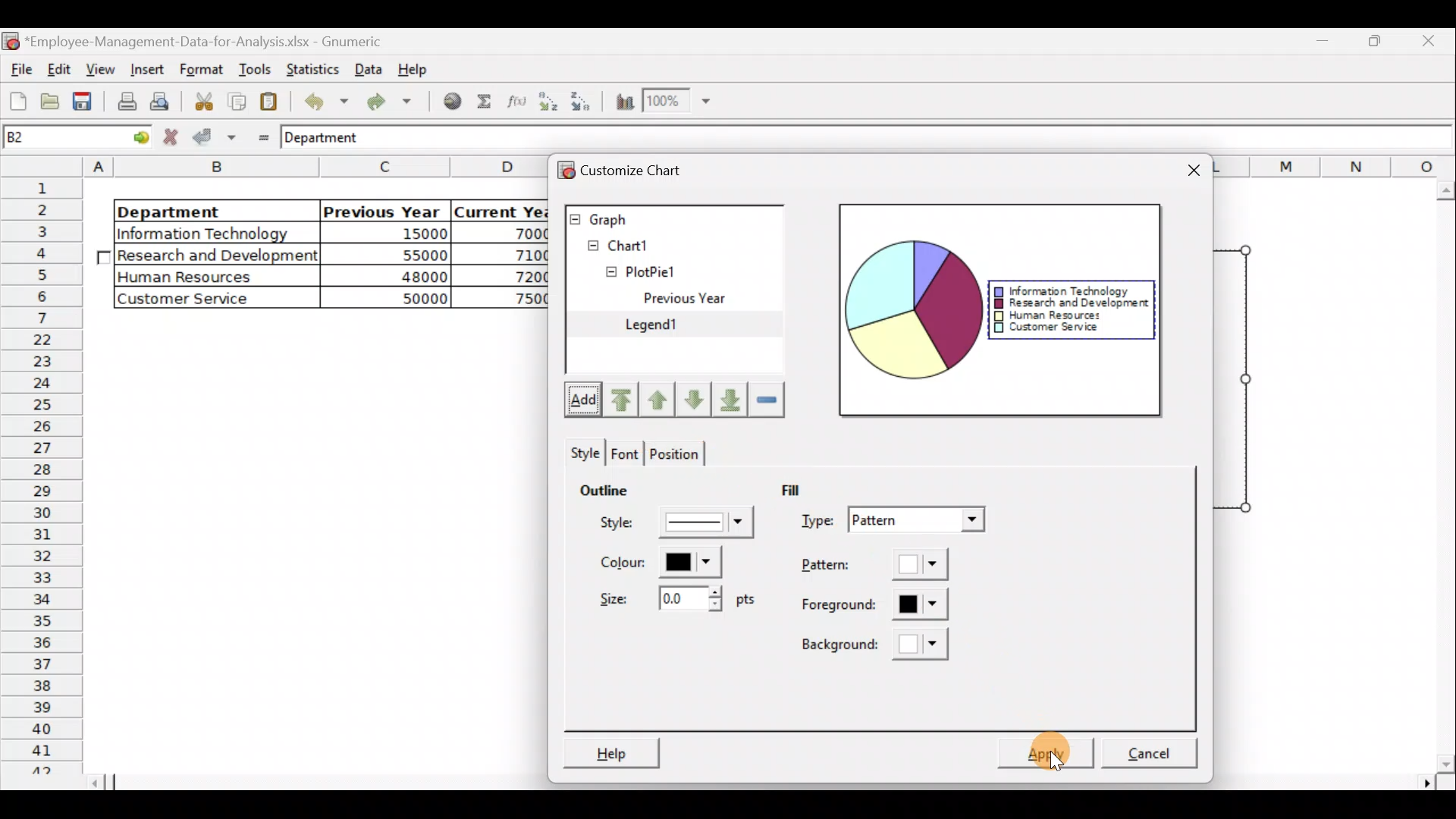 The width and height of the screenshot is (1456, 819). I want to click on Formula bar, so click(926, 141).